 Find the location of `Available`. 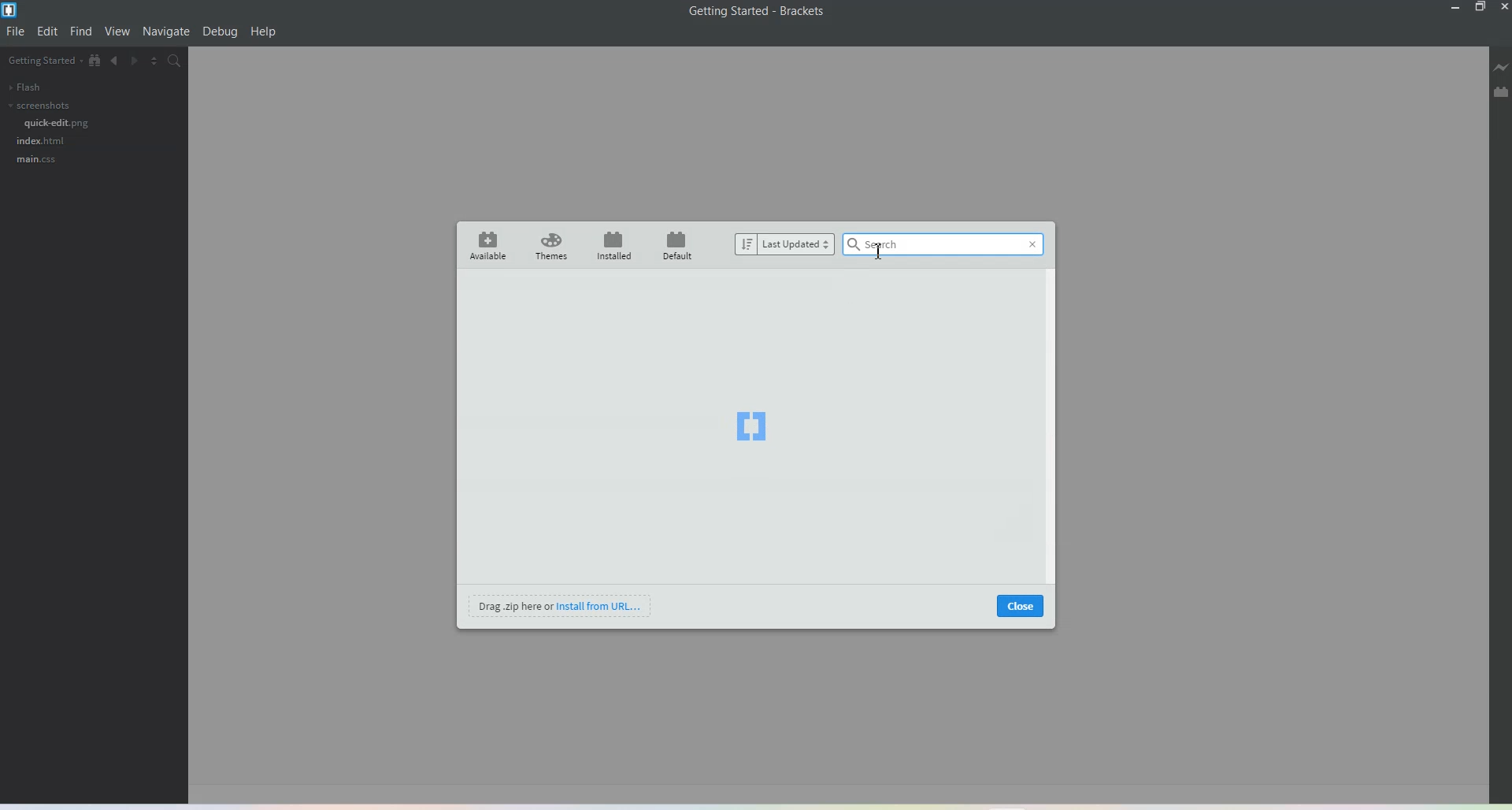

Available is located at coordinates (485, 245).